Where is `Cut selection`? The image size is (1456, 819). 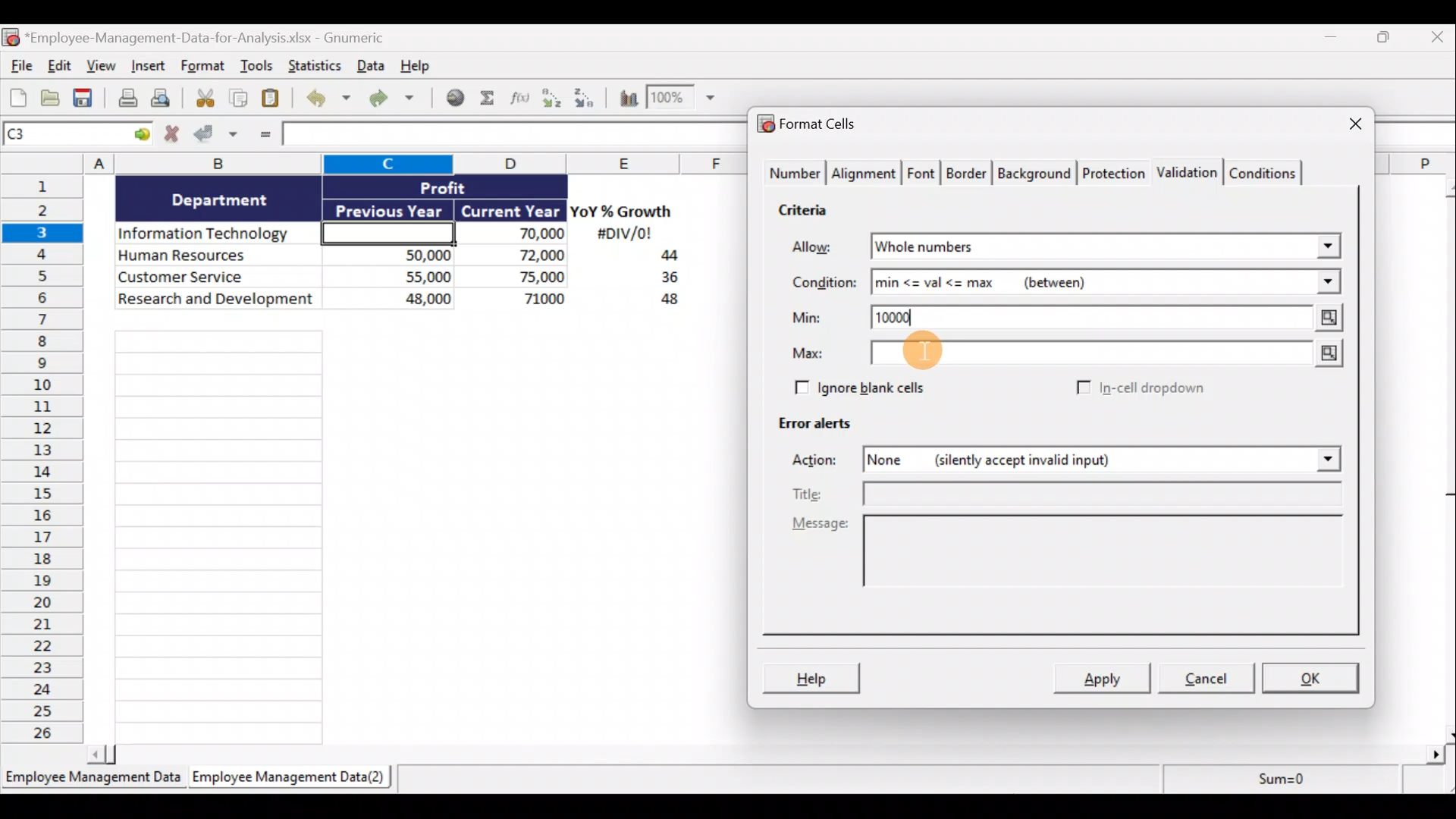 Cut selection is located at coordinates (204, 99).